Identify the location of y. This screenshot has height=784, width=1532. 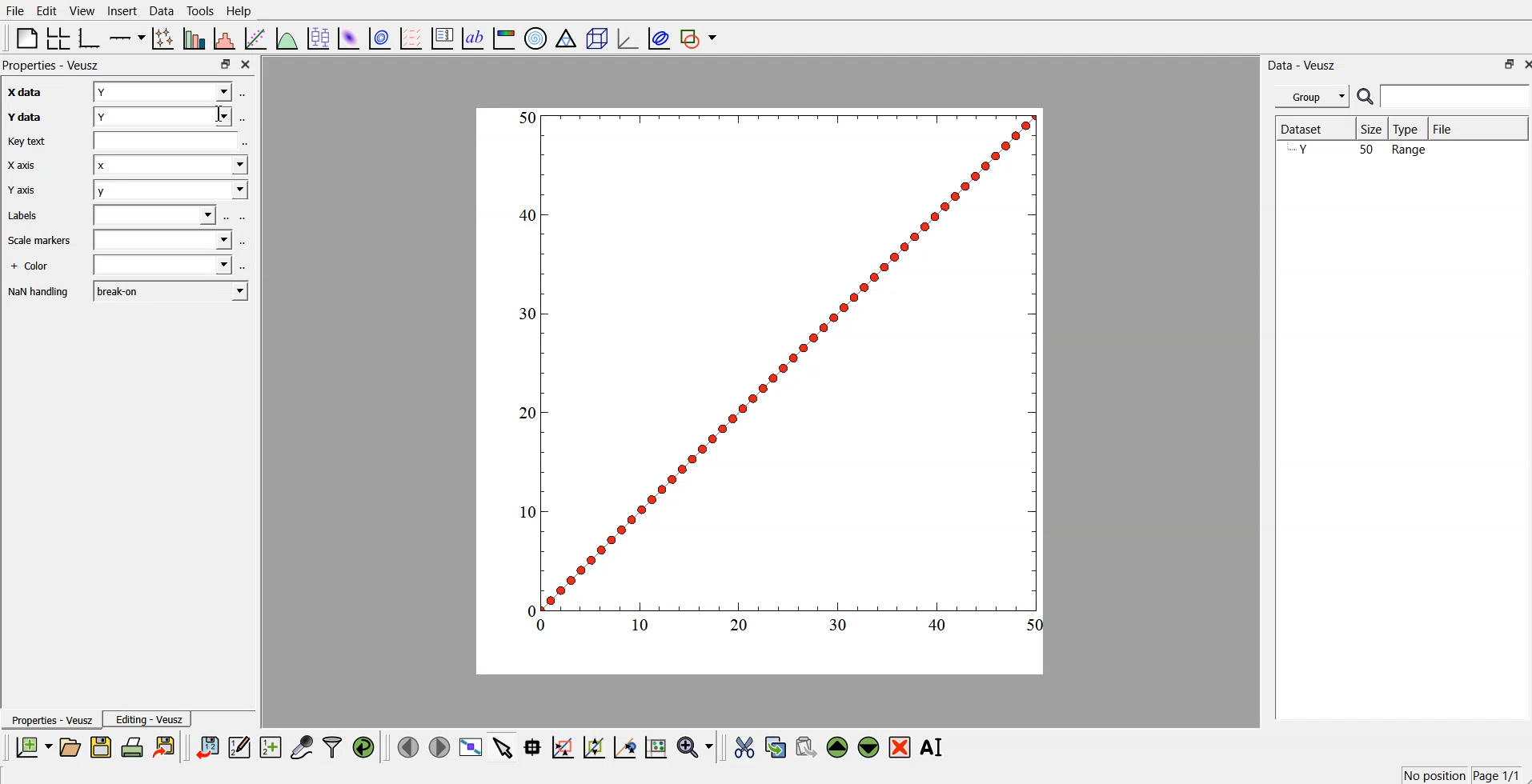
(163, 93).